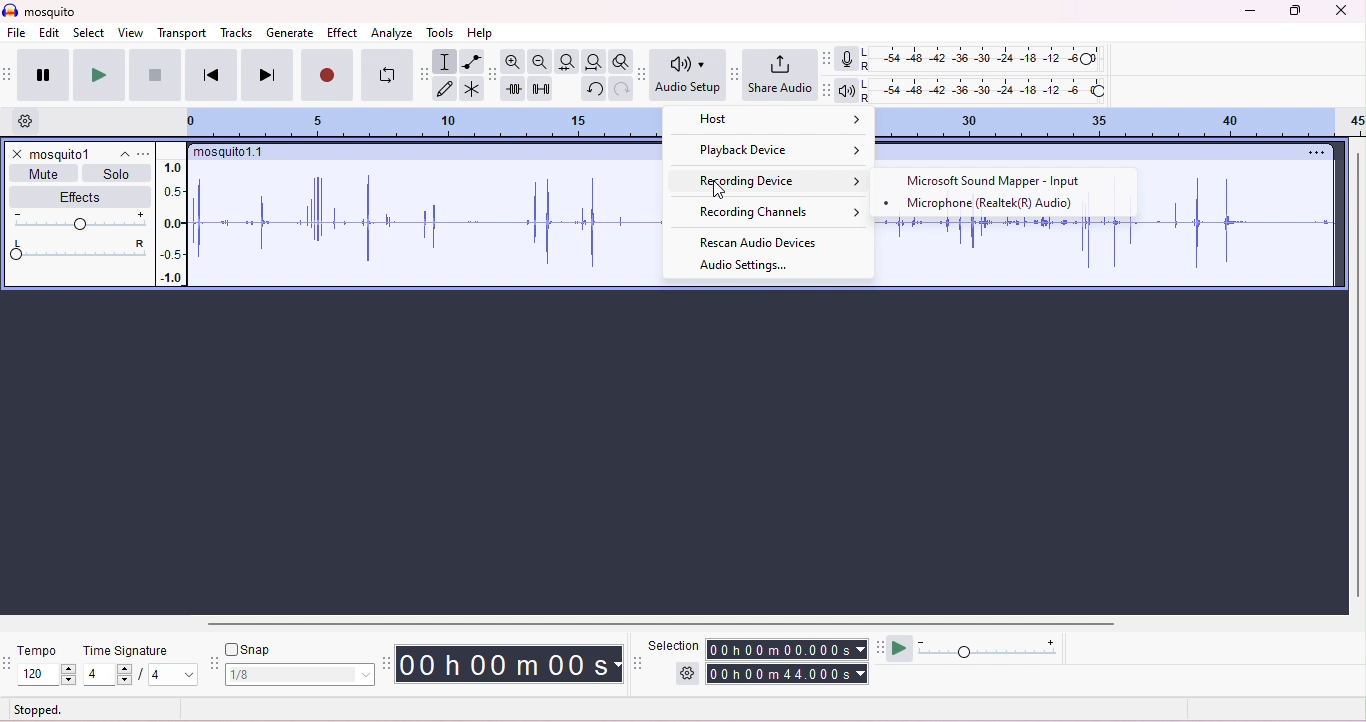  What do you see at coordinates (989, 647) in the screenshot?
I see `playback speed` at bounding box center [989, 647].